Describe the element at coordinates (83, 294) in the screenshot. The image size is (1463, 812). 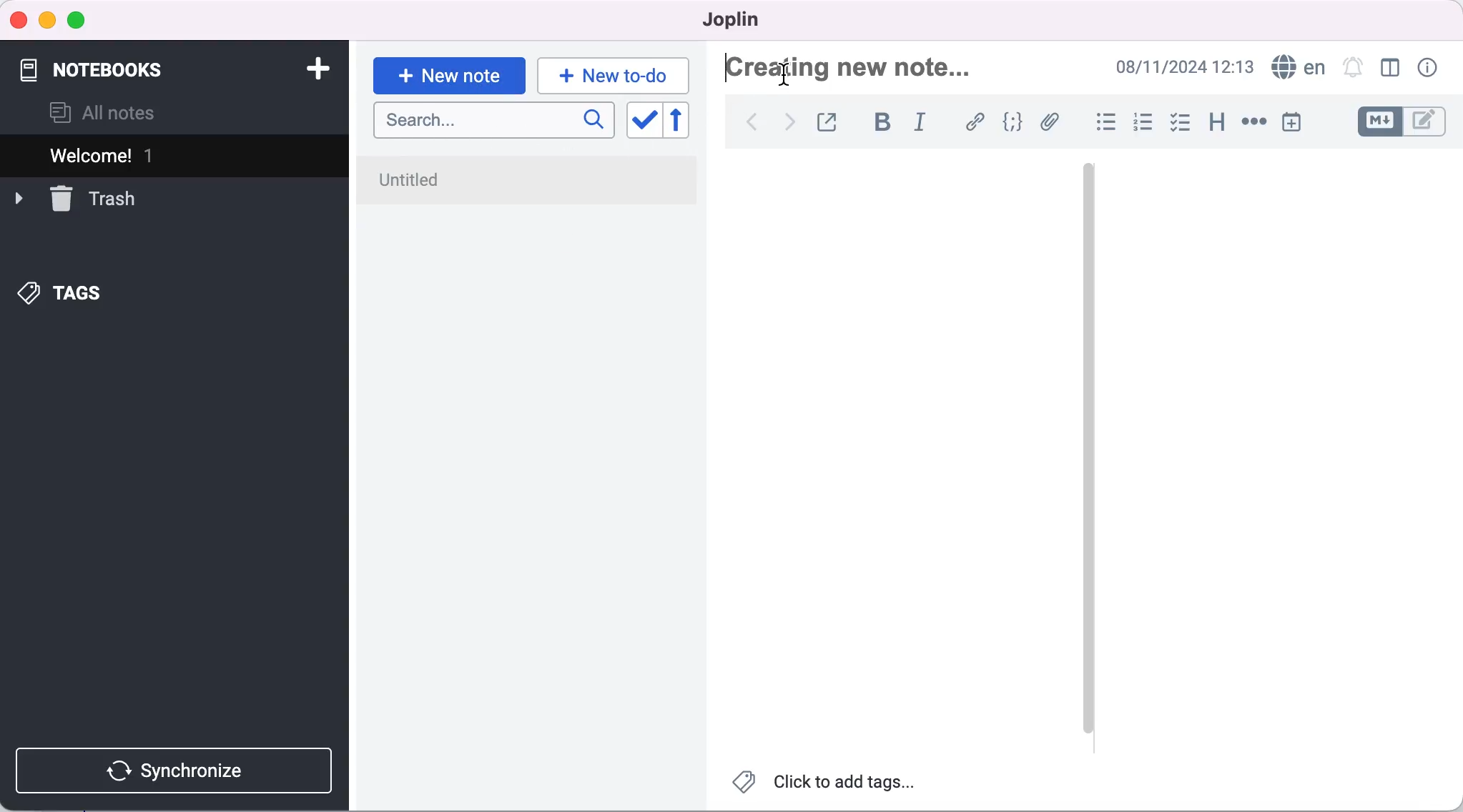
I see `tags` at that location.